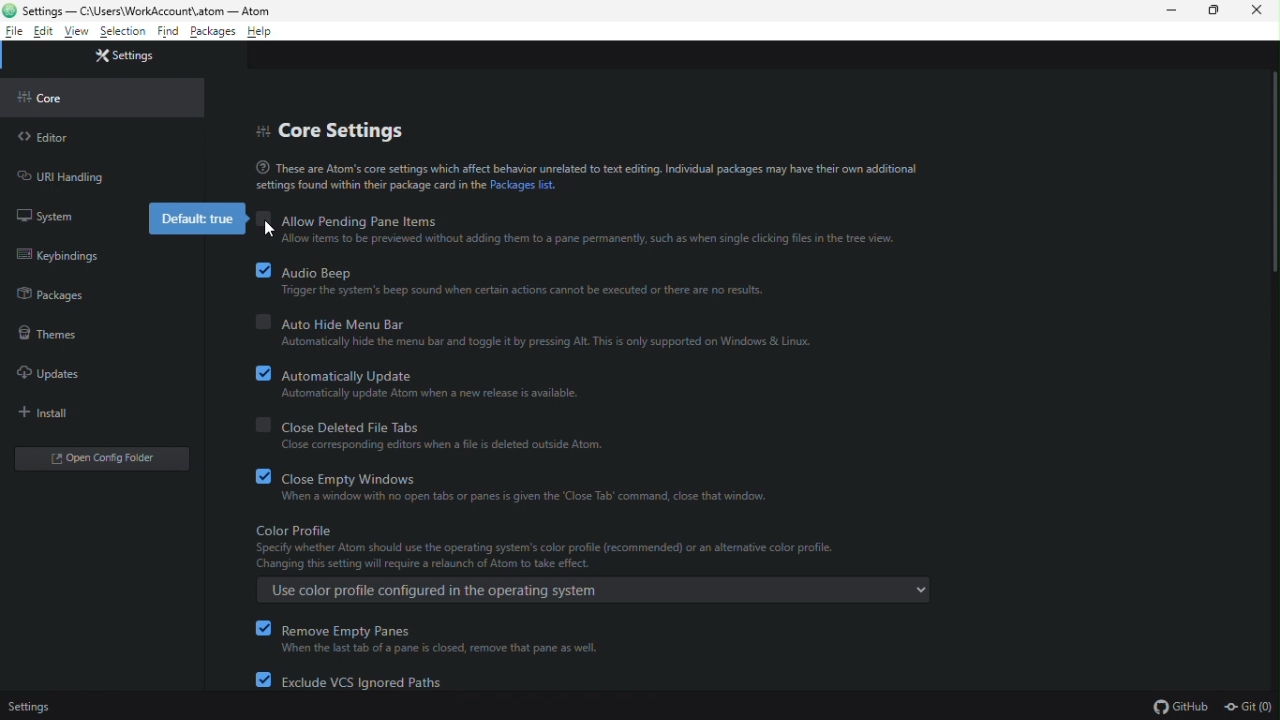 The height and width of the screenshot is (720, 1280). Describe the element at coordinates (48, 213) in the screenshot. I see `system` at that location.